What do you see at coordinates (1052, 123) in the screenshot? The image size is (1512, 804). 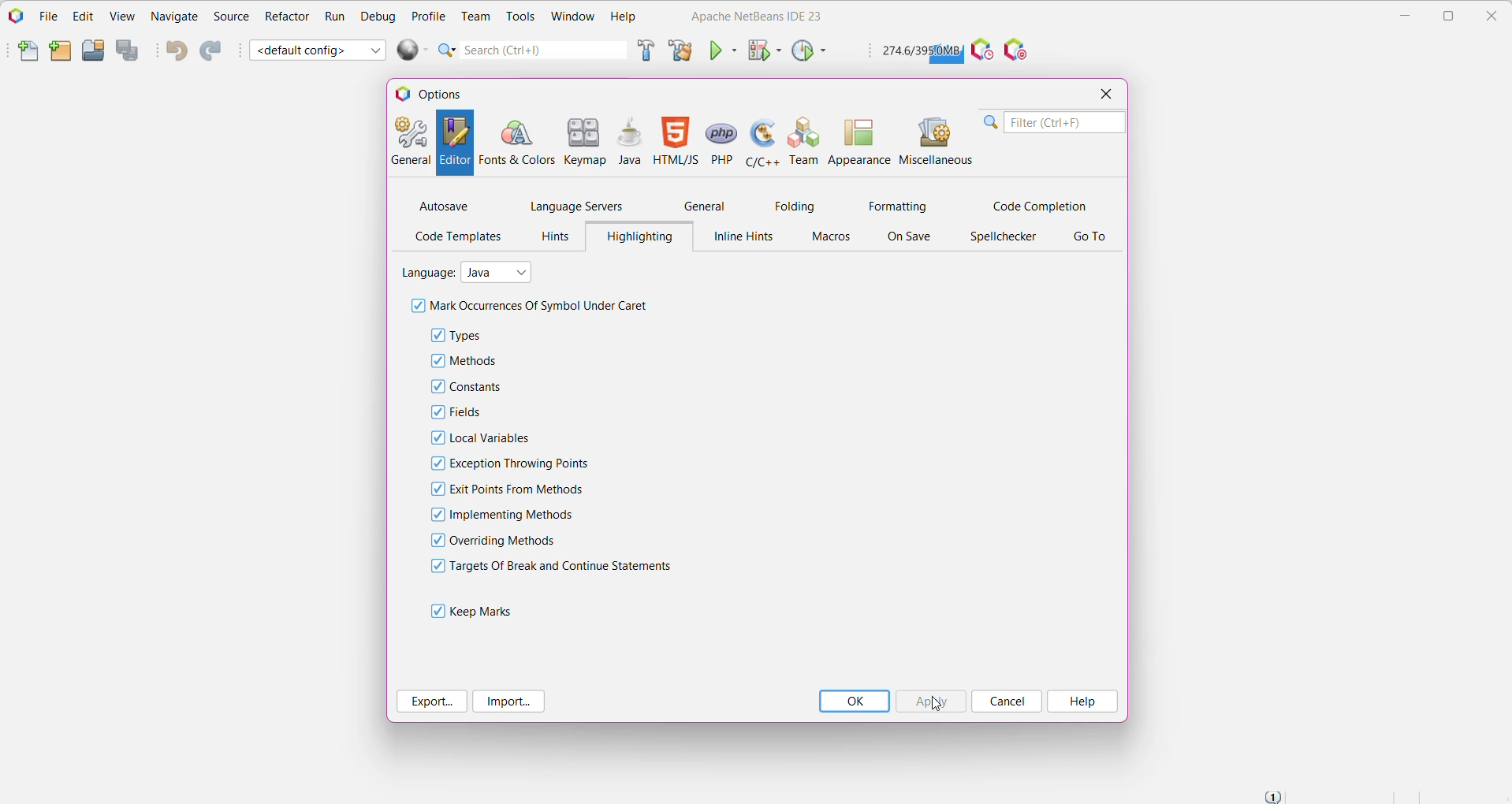 I see `Search` at bounding box center [1052, 123].